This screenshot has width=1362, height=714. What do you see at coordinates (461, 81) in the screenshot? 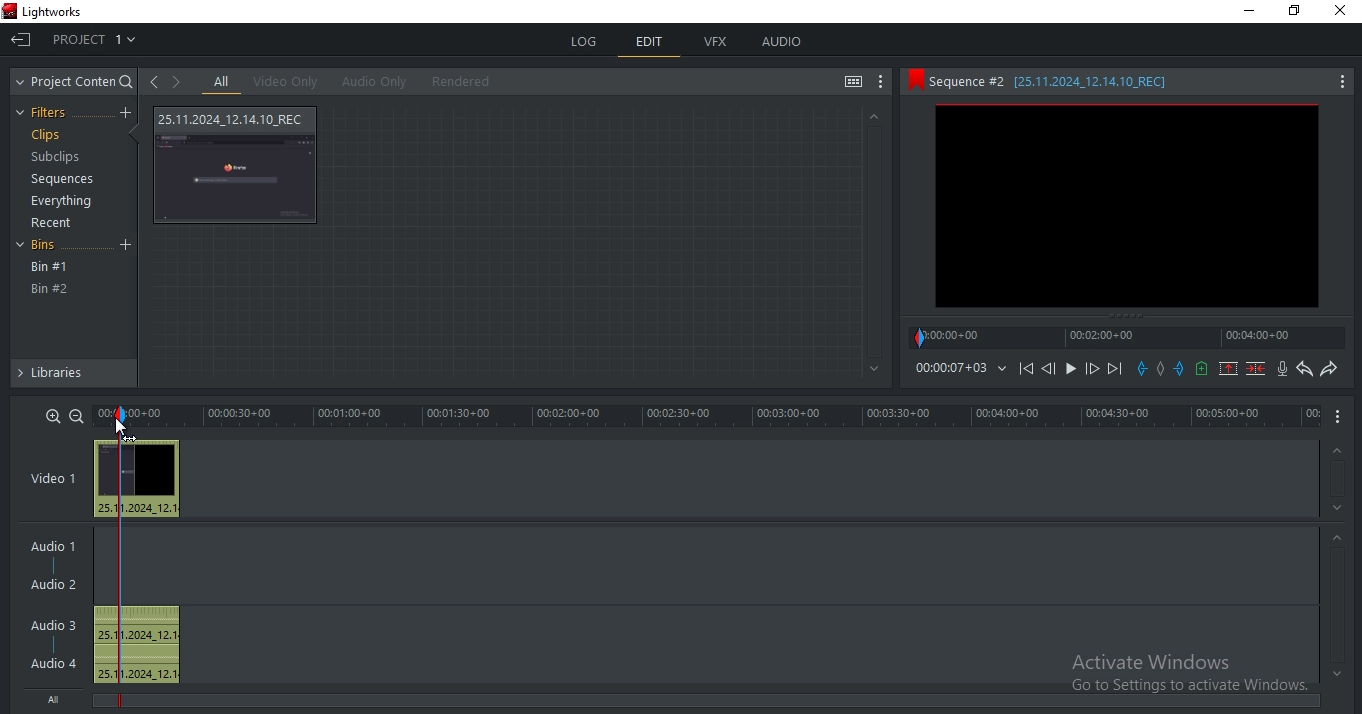
I see `rendered` at bounding box center [461, 81].